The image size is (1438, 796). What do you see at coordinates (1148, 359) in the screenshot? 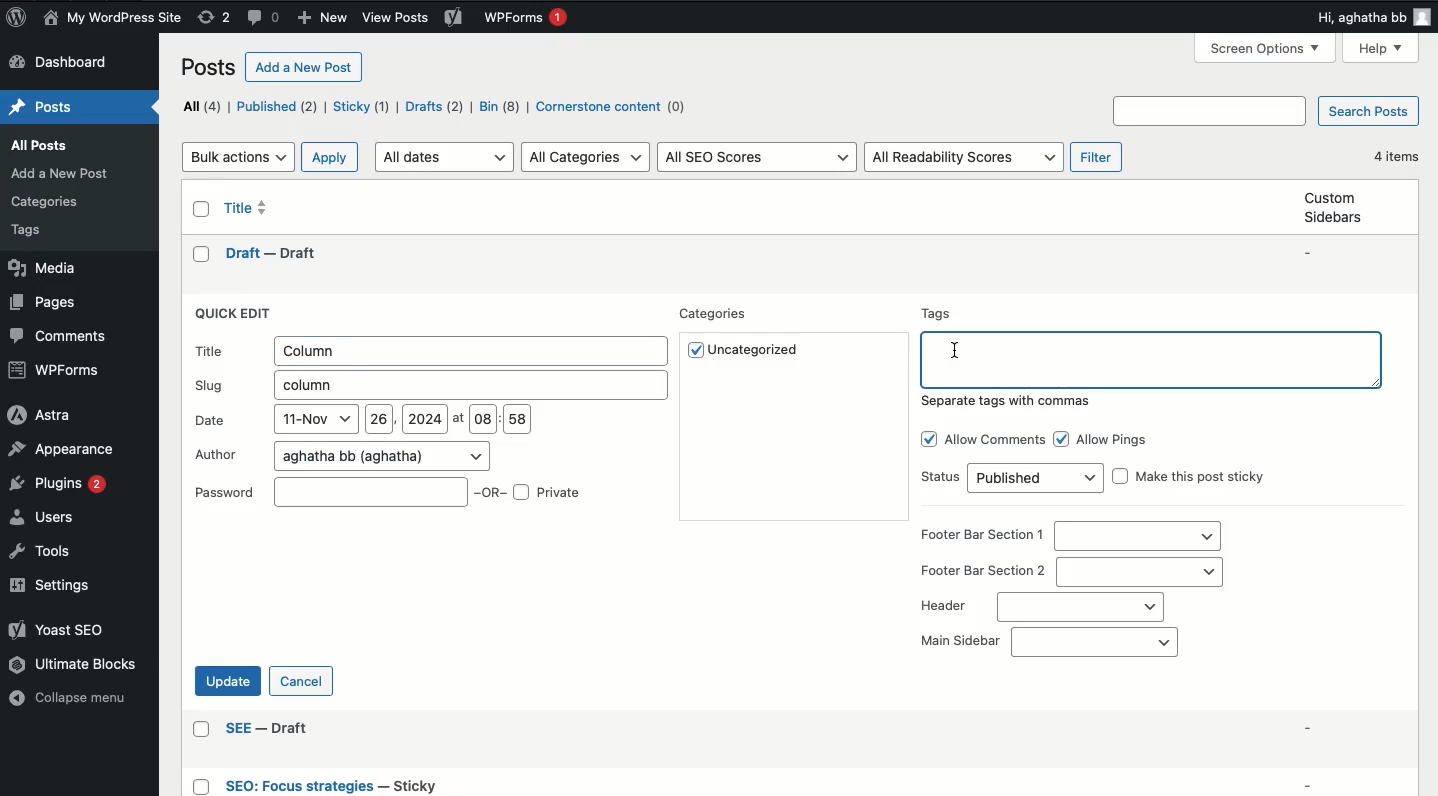
I see `Tags` at bounding box center [1148, 359].